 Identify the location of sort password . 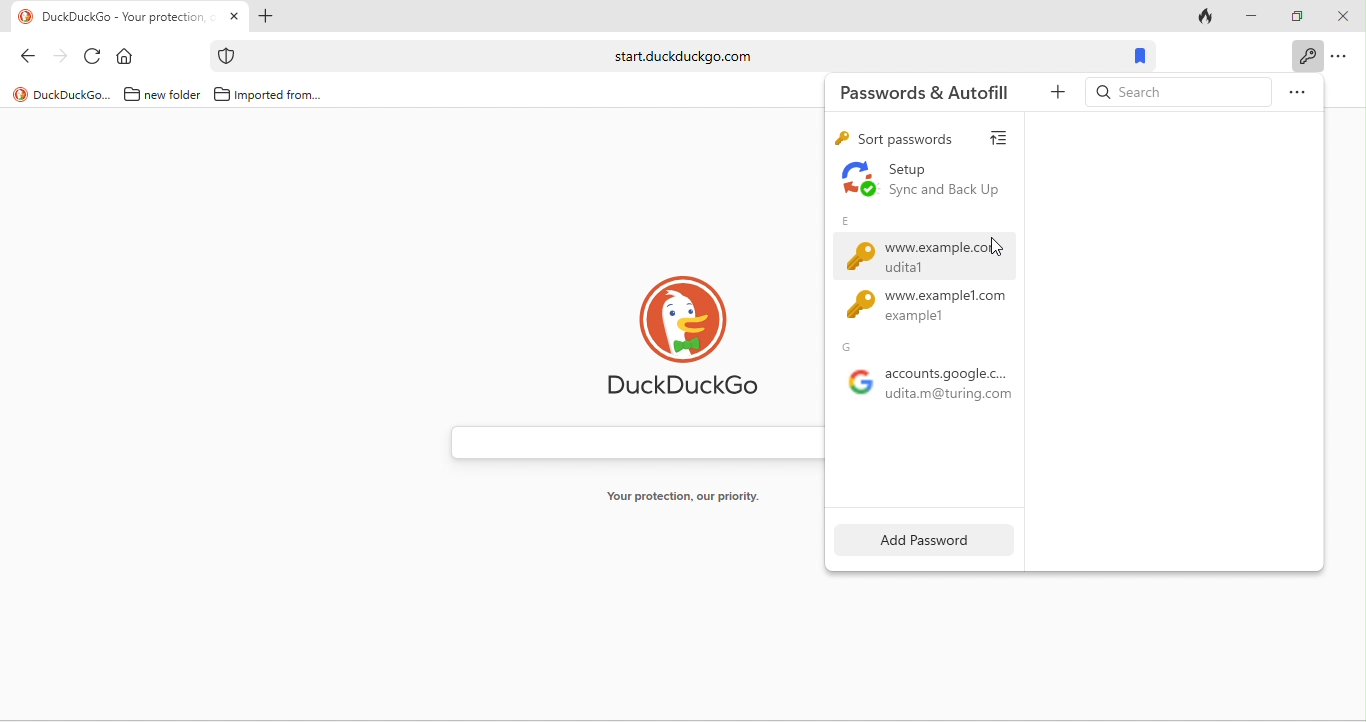
(927, 139).